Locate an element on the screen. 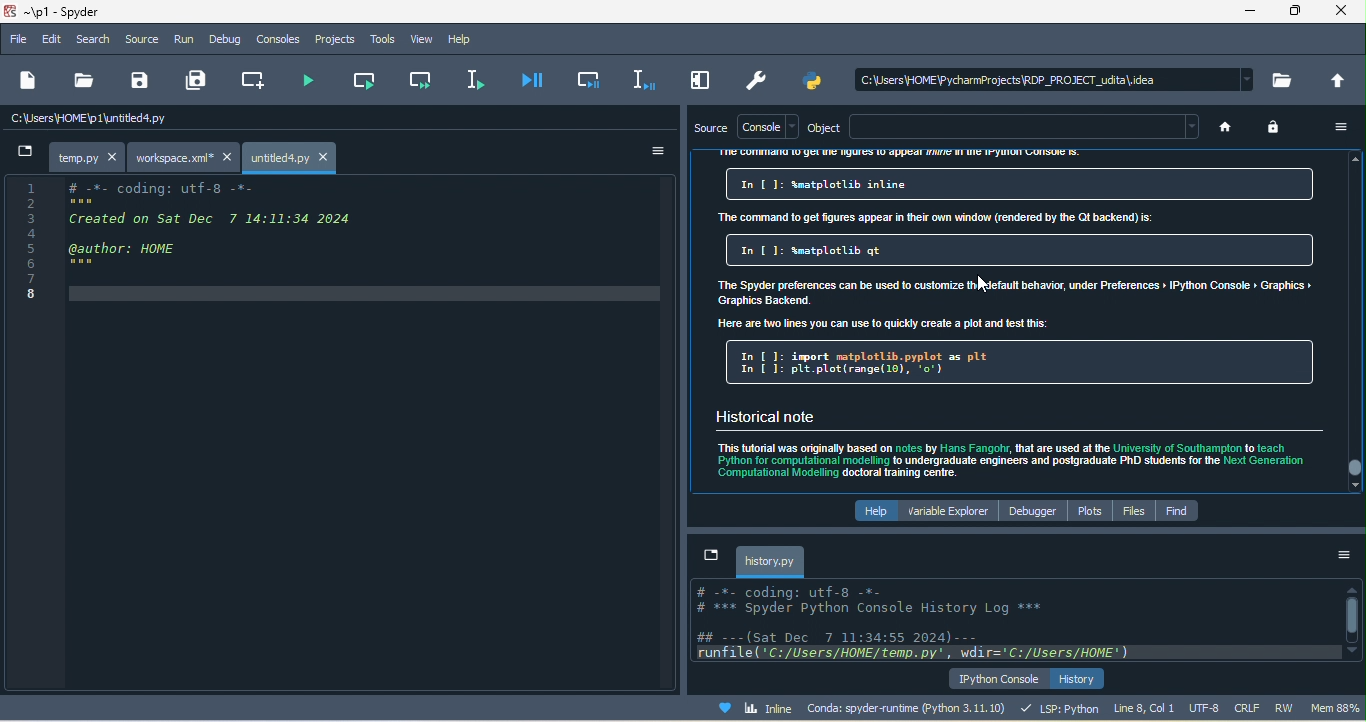 The image size is (1366, 722). close is located at coordinates (1342, 12).